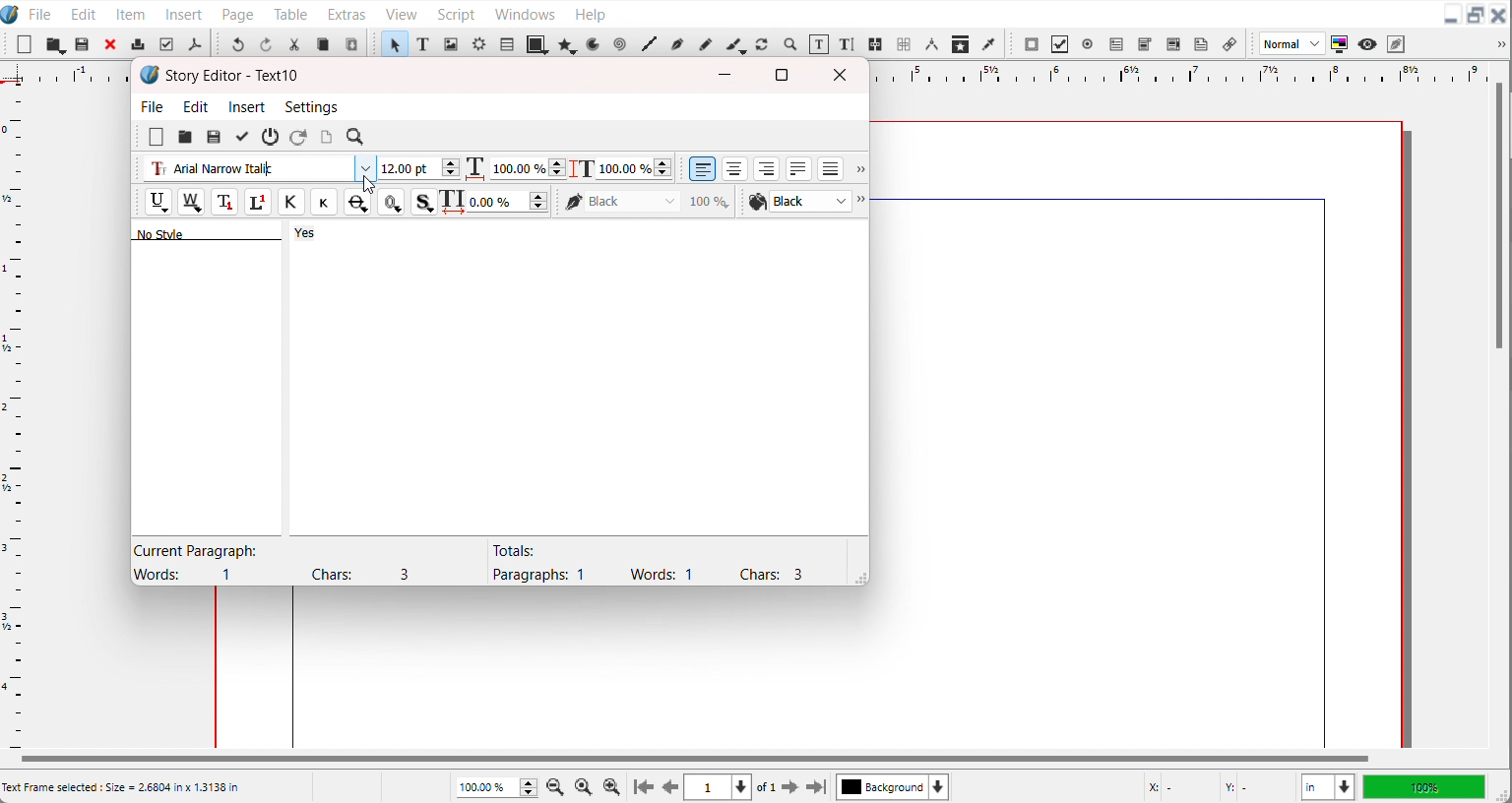 Image resolution: width=1512 pixels, height=803 pixels. Describe the element at coordinates (25, 44) in the screenshot. I see `New` at that location.